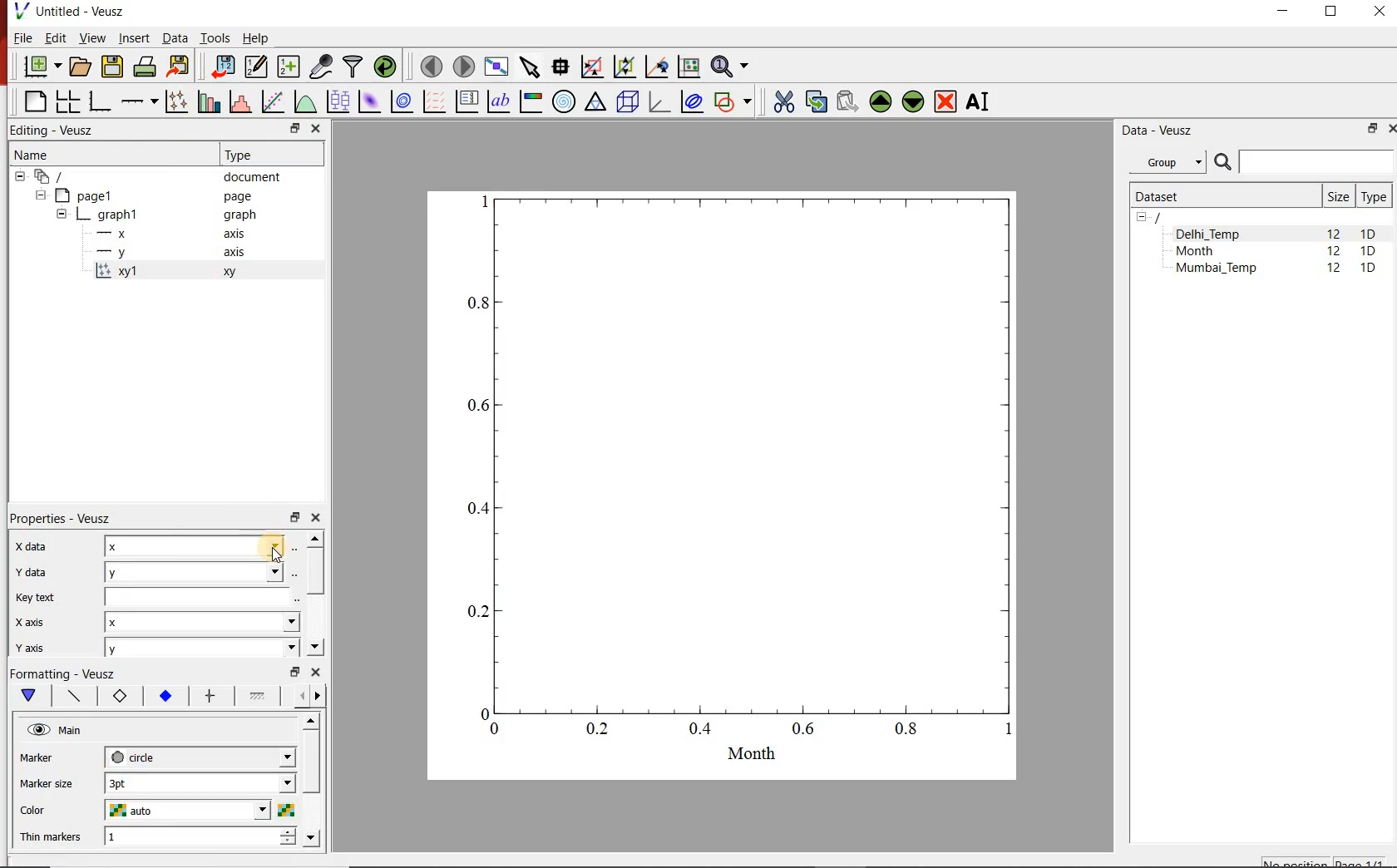 The image size is (1397, 868). I want to click on click to recenter graph axes, so click(656, 67).